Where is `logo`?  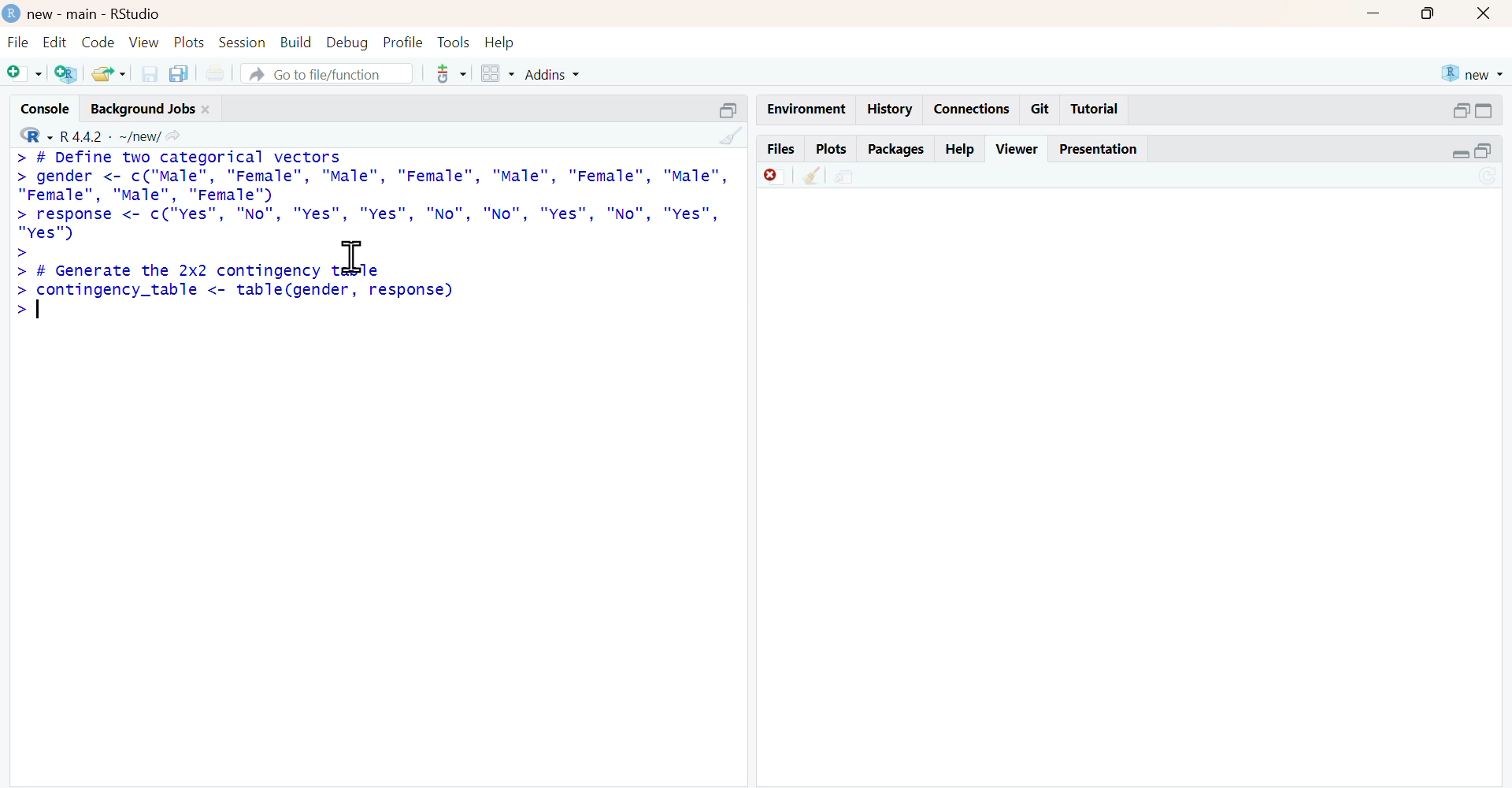
logo is located at coordinates (13, 13).